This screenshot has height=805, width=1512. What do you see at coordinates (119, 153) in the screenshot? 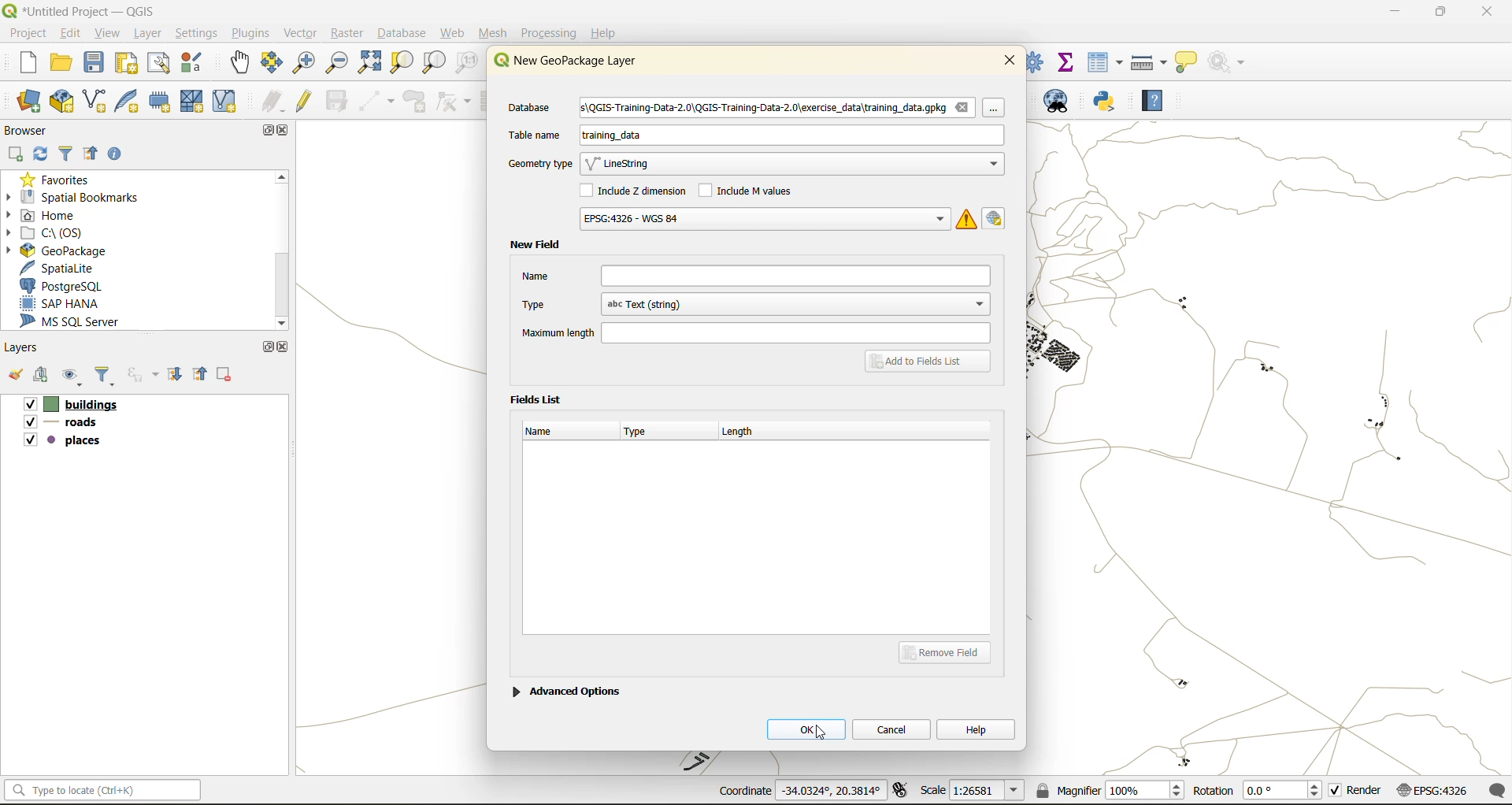
I see `enable properties` at bounding box center [119, 153].